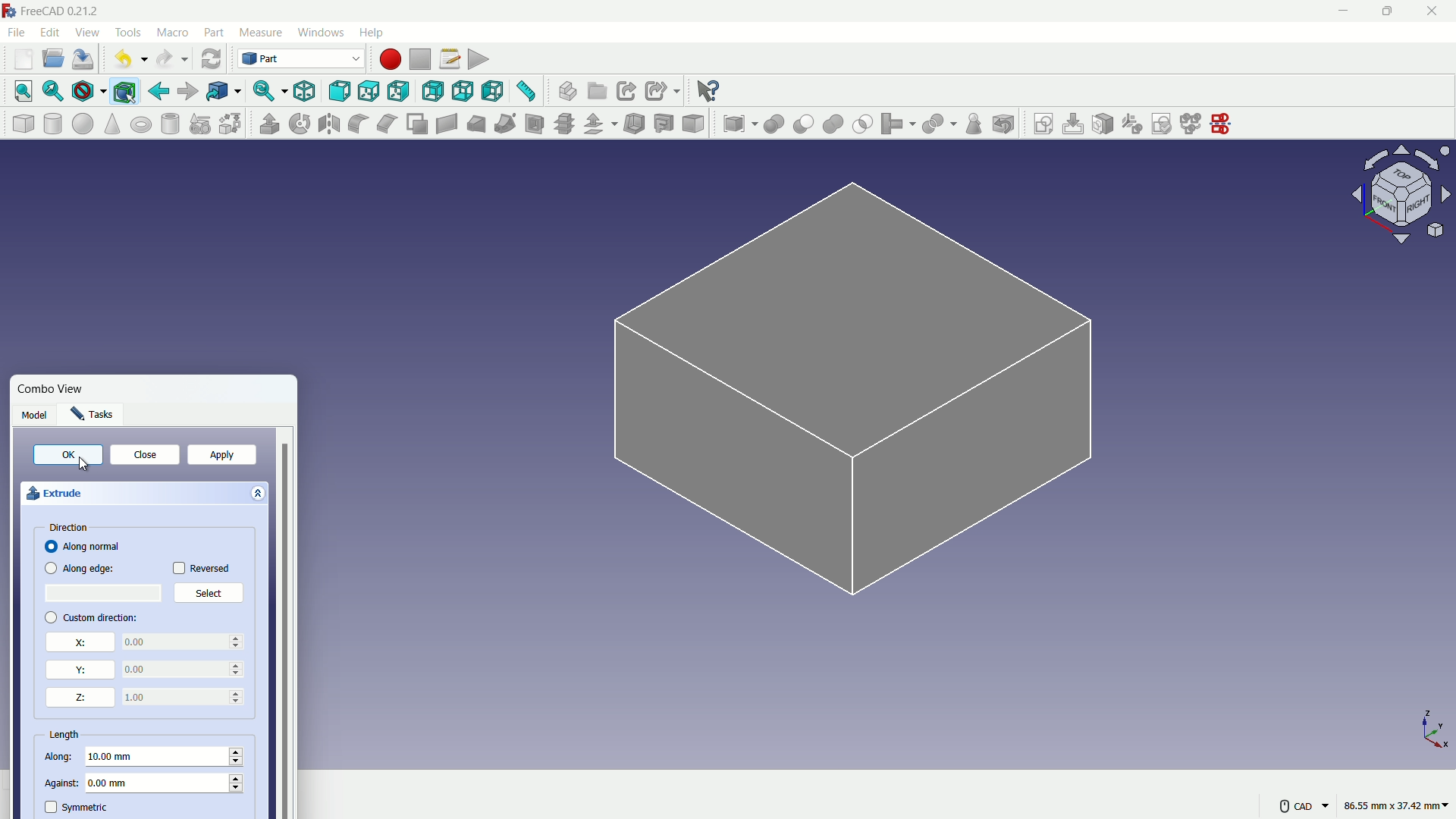  I want to click on hollow cylinder, so click(171, 124).